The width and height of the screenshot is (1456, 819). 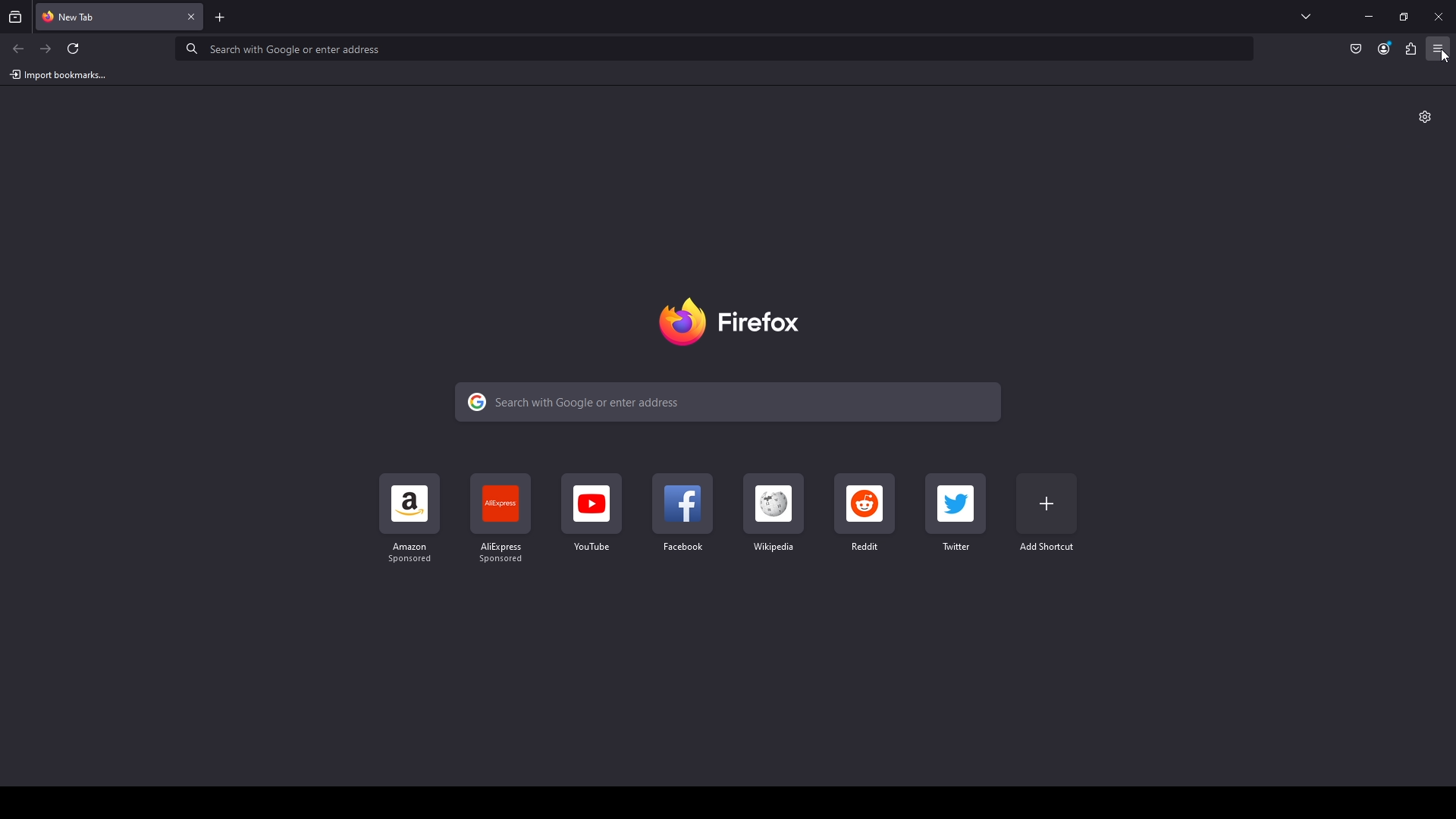 I want to click on Search with google or enter address, so click(x=720, y=52).